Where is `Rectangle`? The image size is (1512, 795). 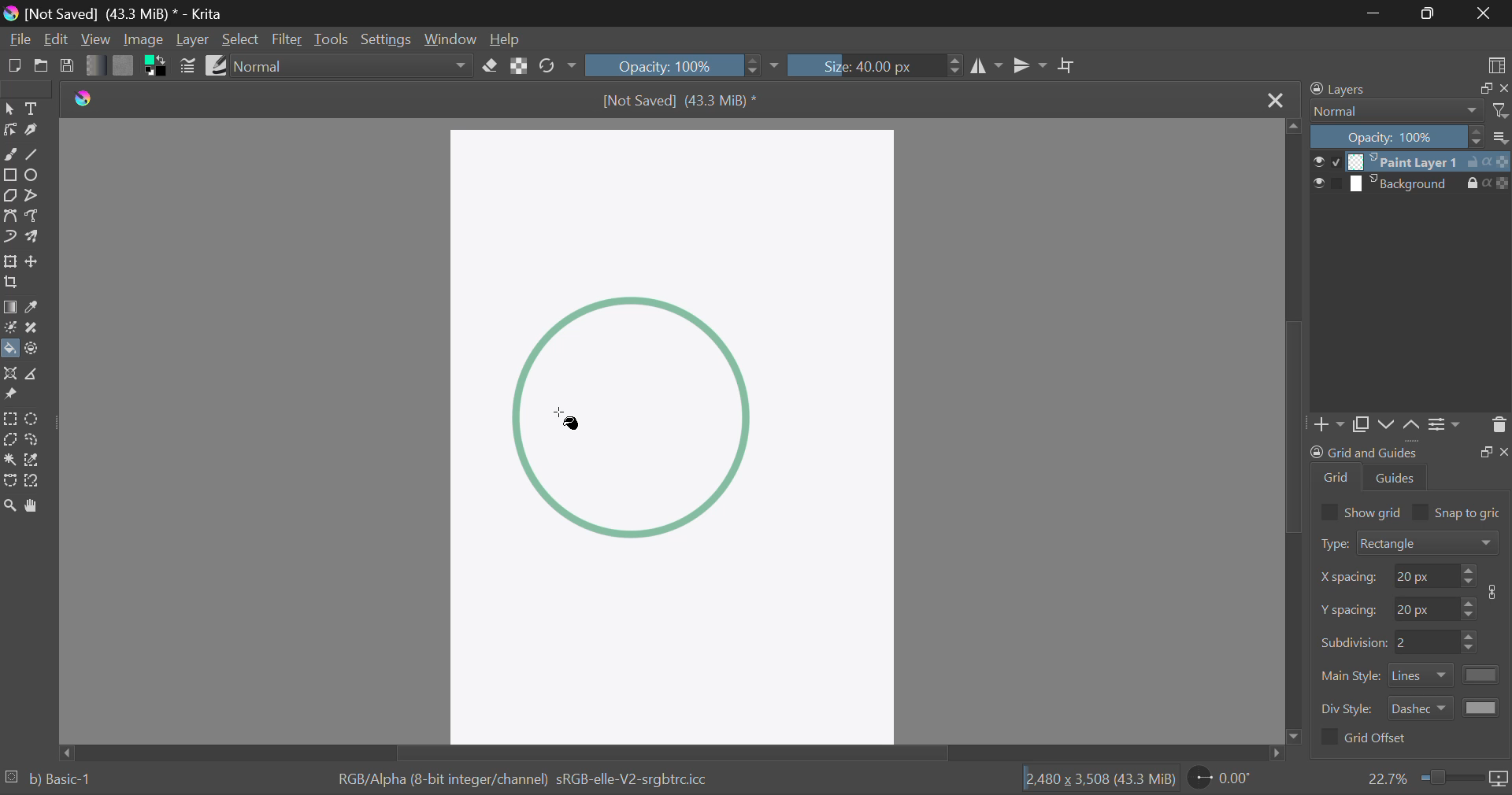
Rectangle is located at coordinates (11, 174).